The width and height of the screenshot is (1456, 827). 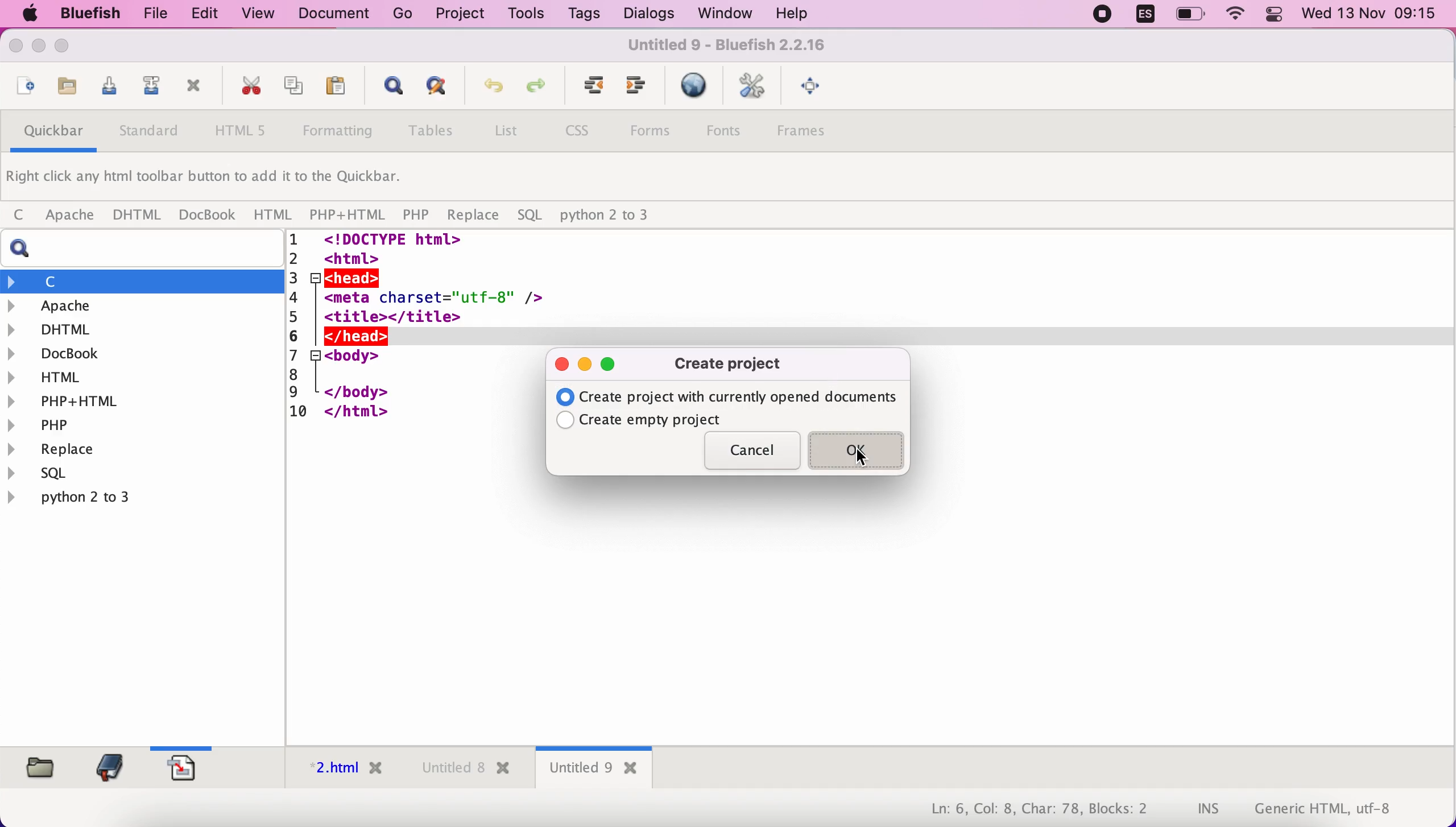 I want to click on cut, so click(x=247, y=88).